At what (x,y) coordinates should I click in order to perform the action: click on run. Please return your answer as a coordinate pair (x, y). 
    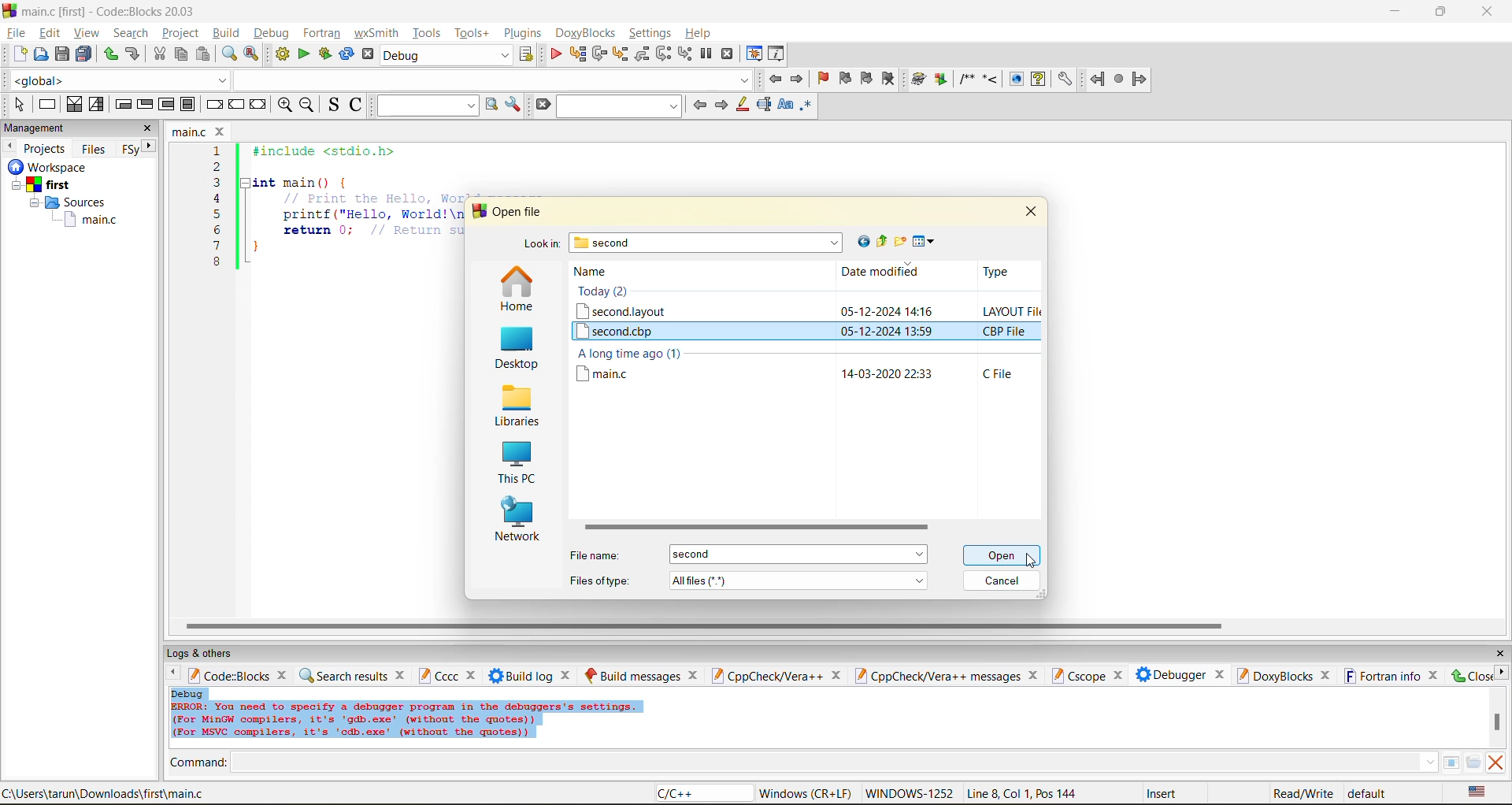
    Looking at the image, I should click on (304, 54).